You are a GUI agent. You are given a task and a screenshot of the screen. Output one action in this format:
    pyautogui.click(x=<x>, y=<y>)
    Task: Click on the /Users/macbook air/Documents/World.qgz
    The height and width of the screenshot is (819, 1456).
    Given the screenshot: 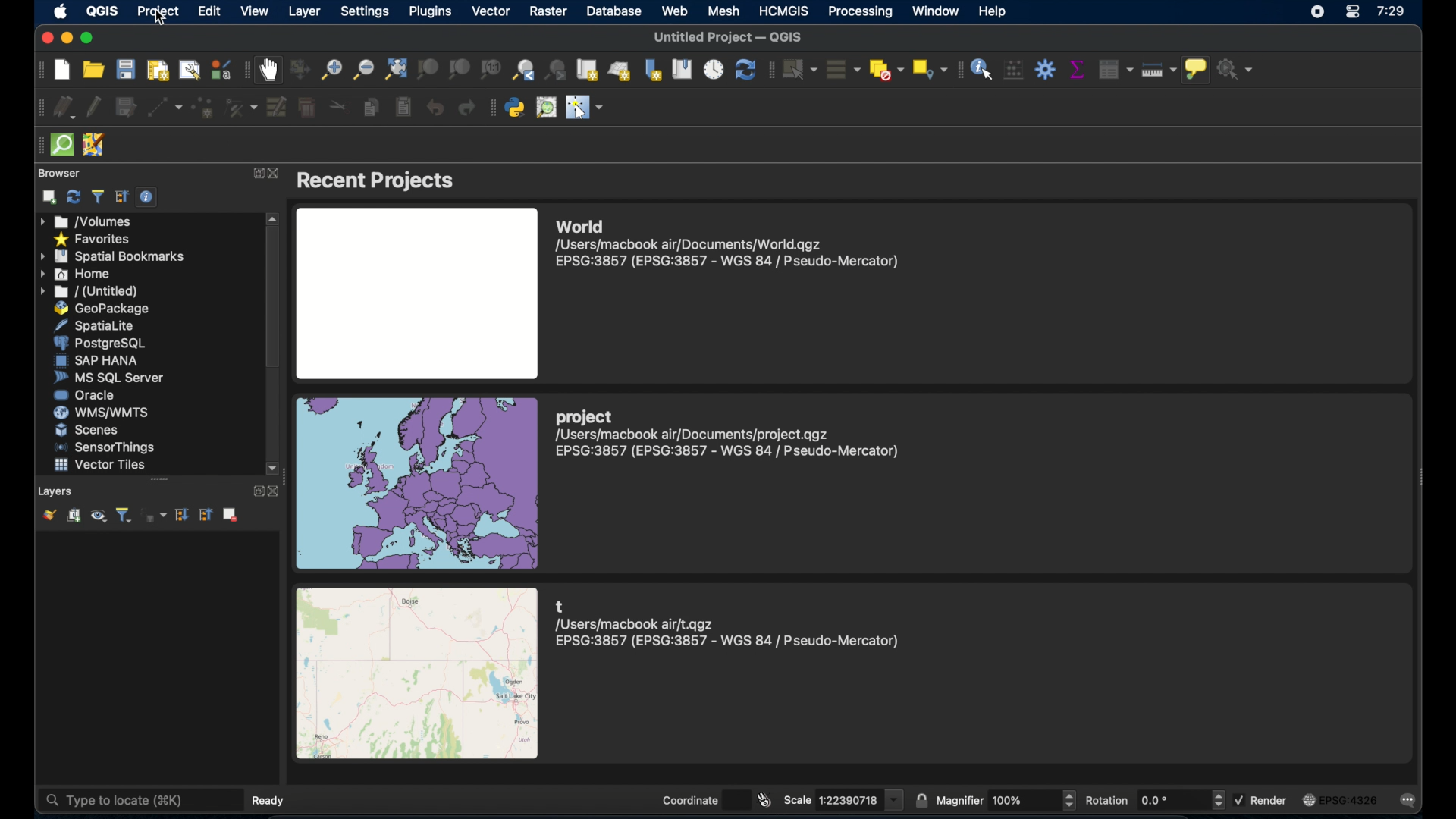 What is the action you would take?
    pyautogui.click(x=692, y=244)
    